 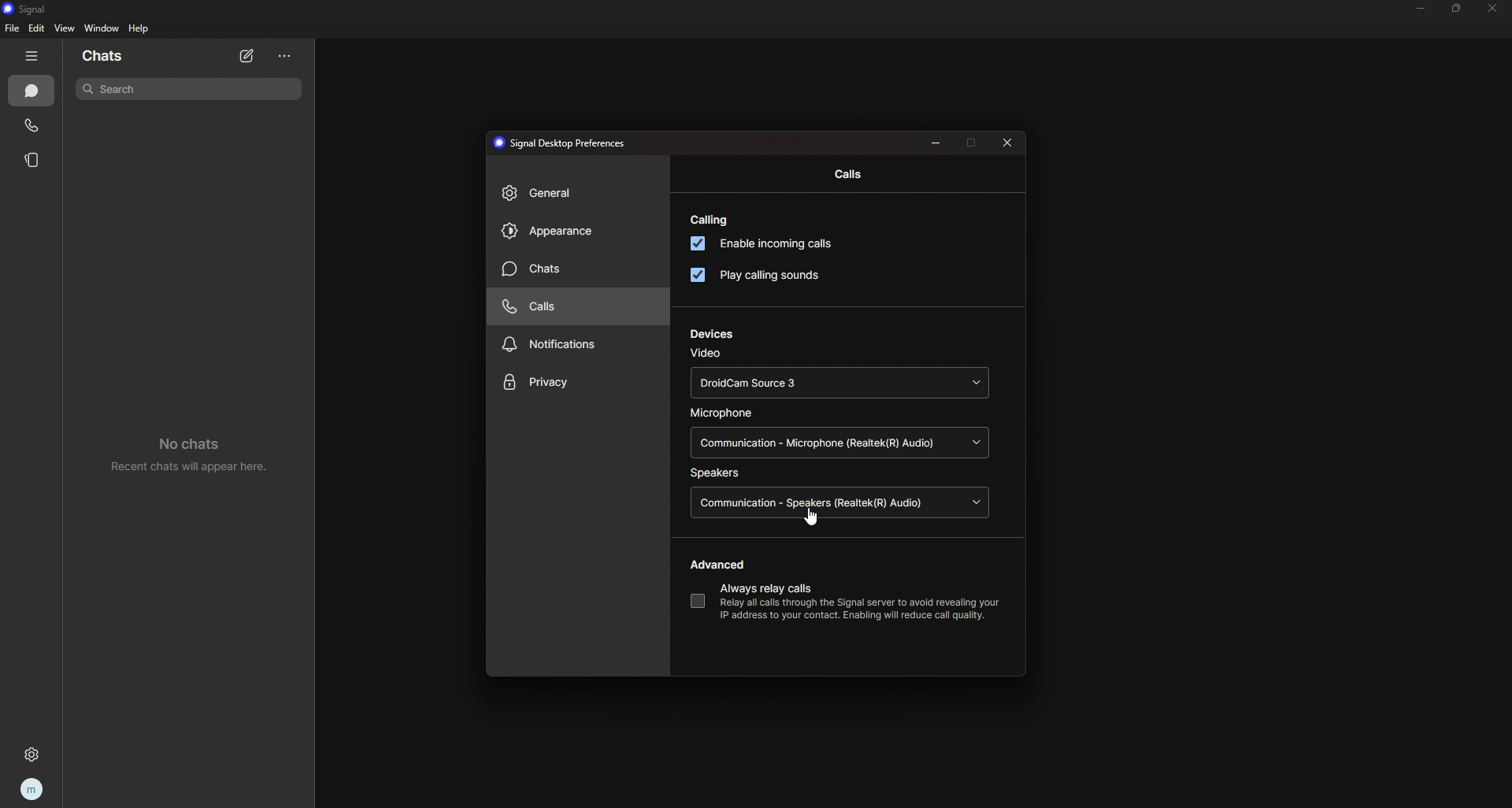 I want to click on appearance, so click(x=576, y=232).